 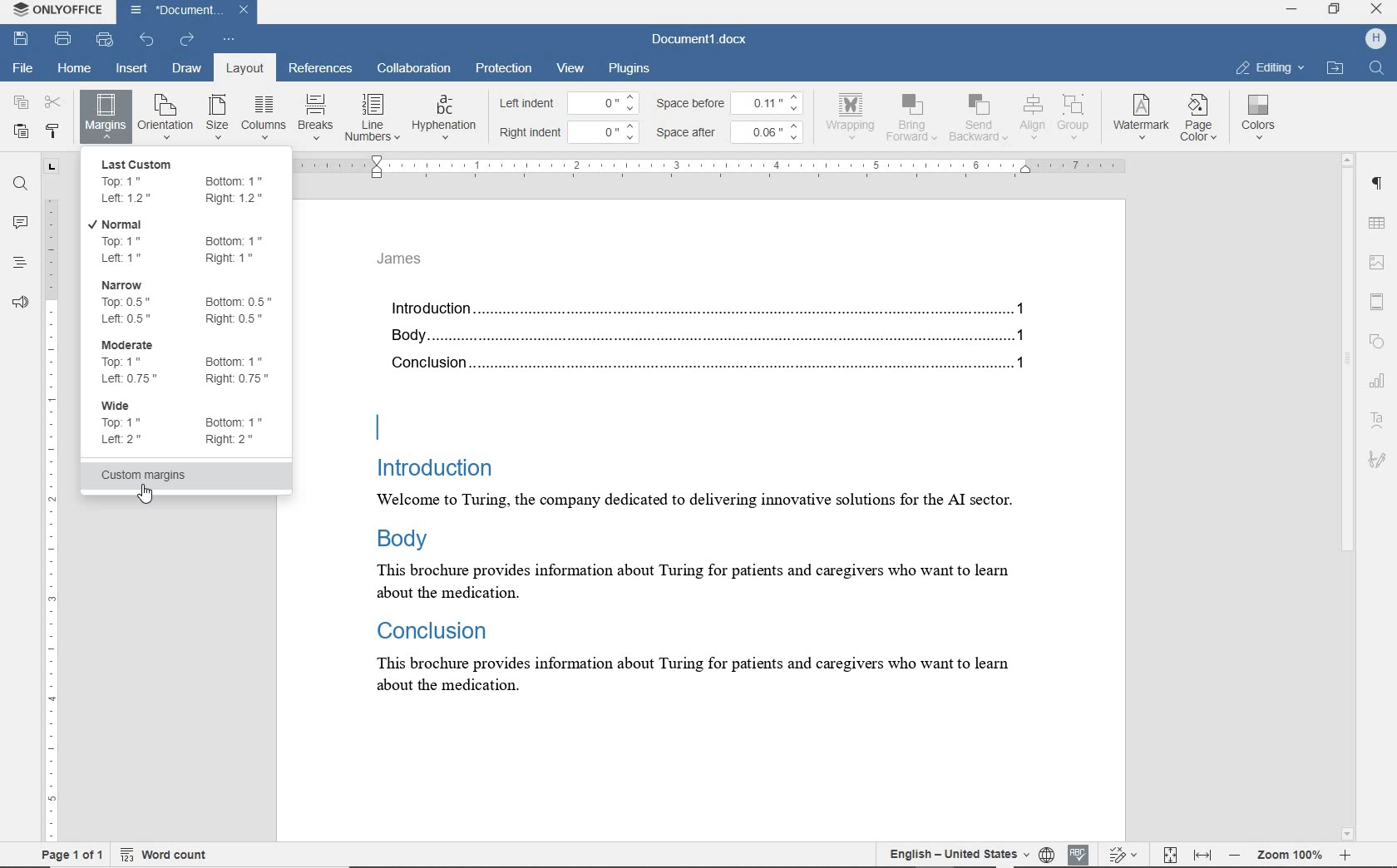 I want to click on text art, so click(x=1377, y=423).